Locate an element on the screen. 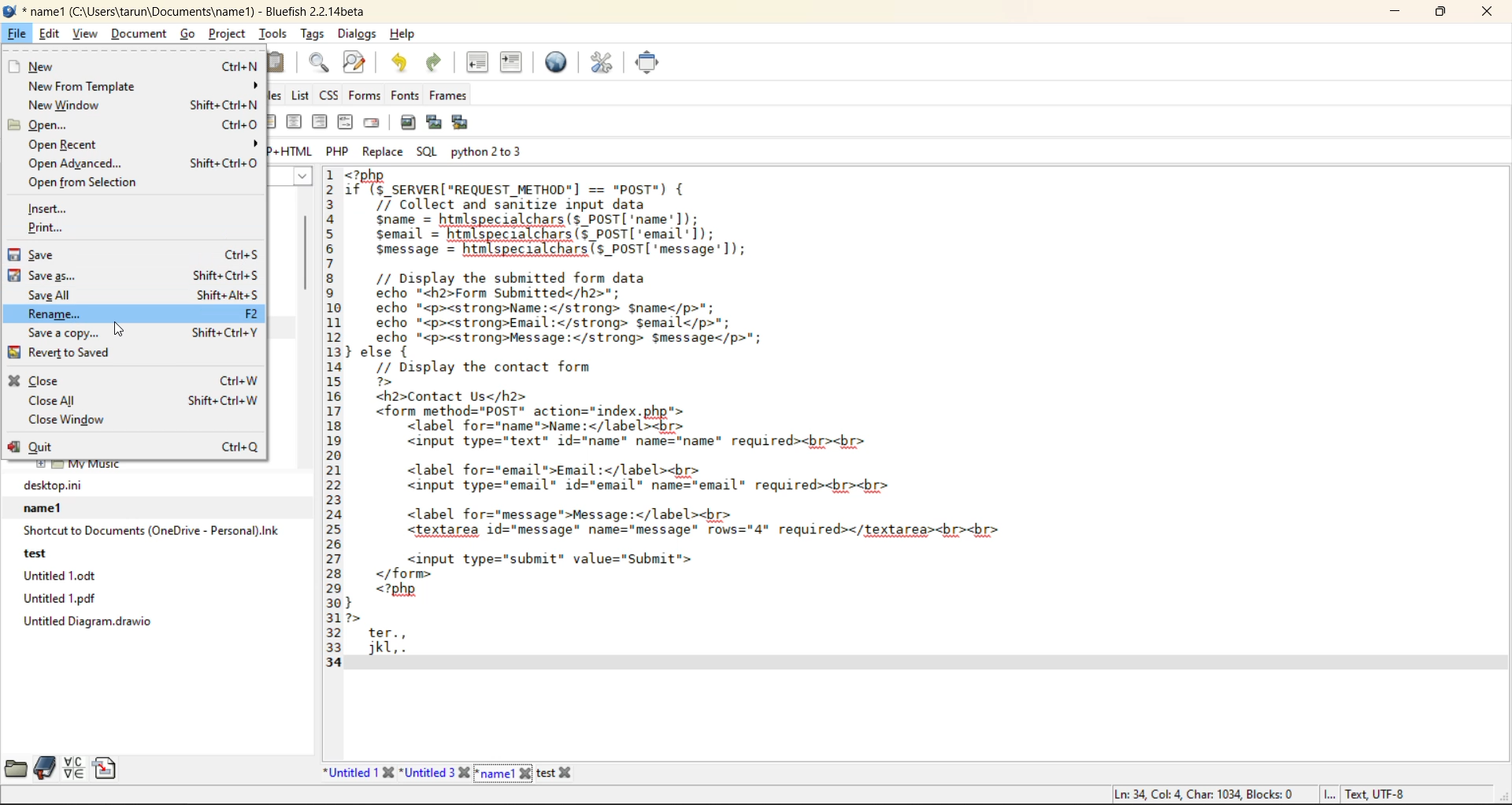  recent files path is located at coordinates (149, 555).